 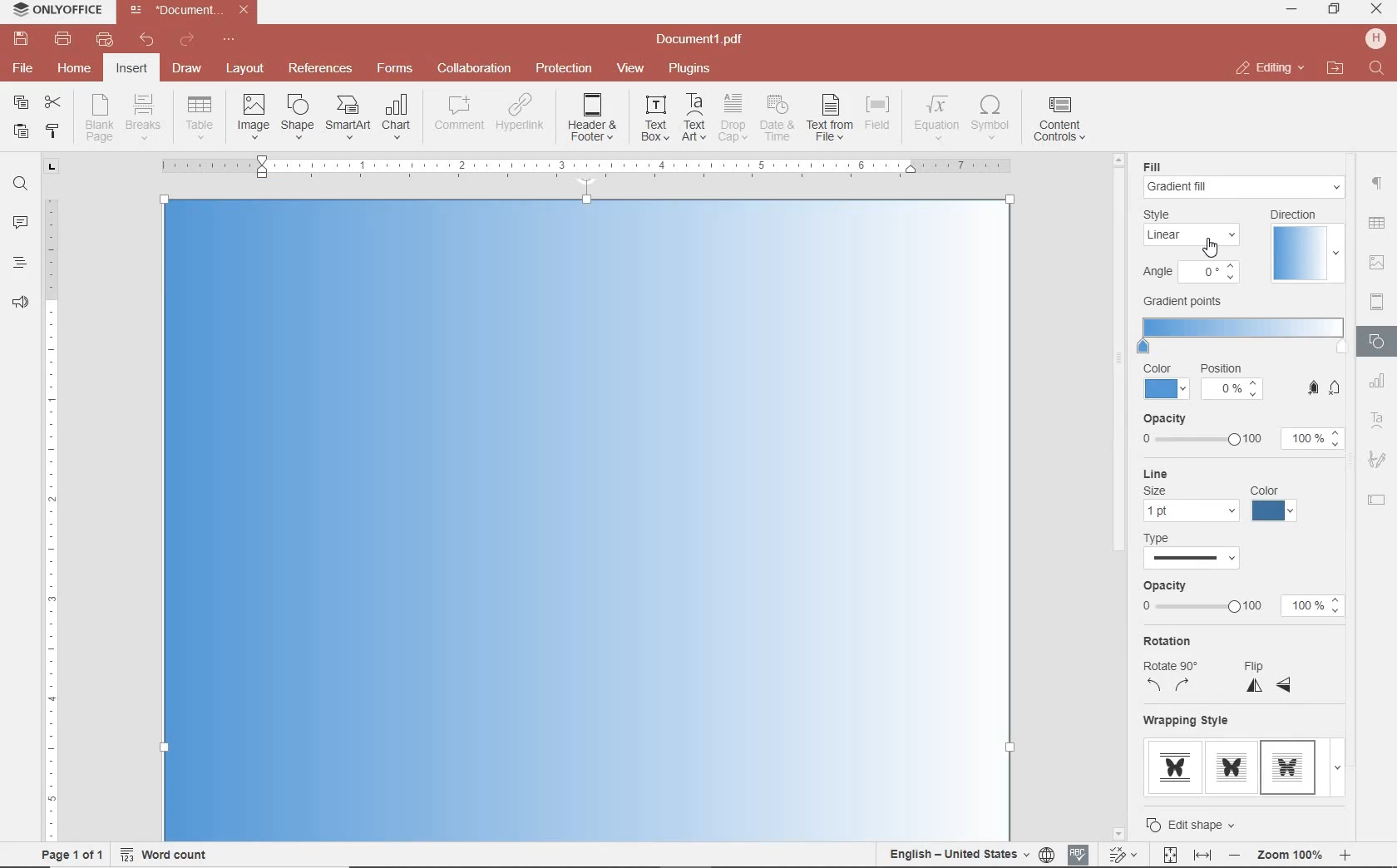 I want to click on system name, so click(x=53, y=11).